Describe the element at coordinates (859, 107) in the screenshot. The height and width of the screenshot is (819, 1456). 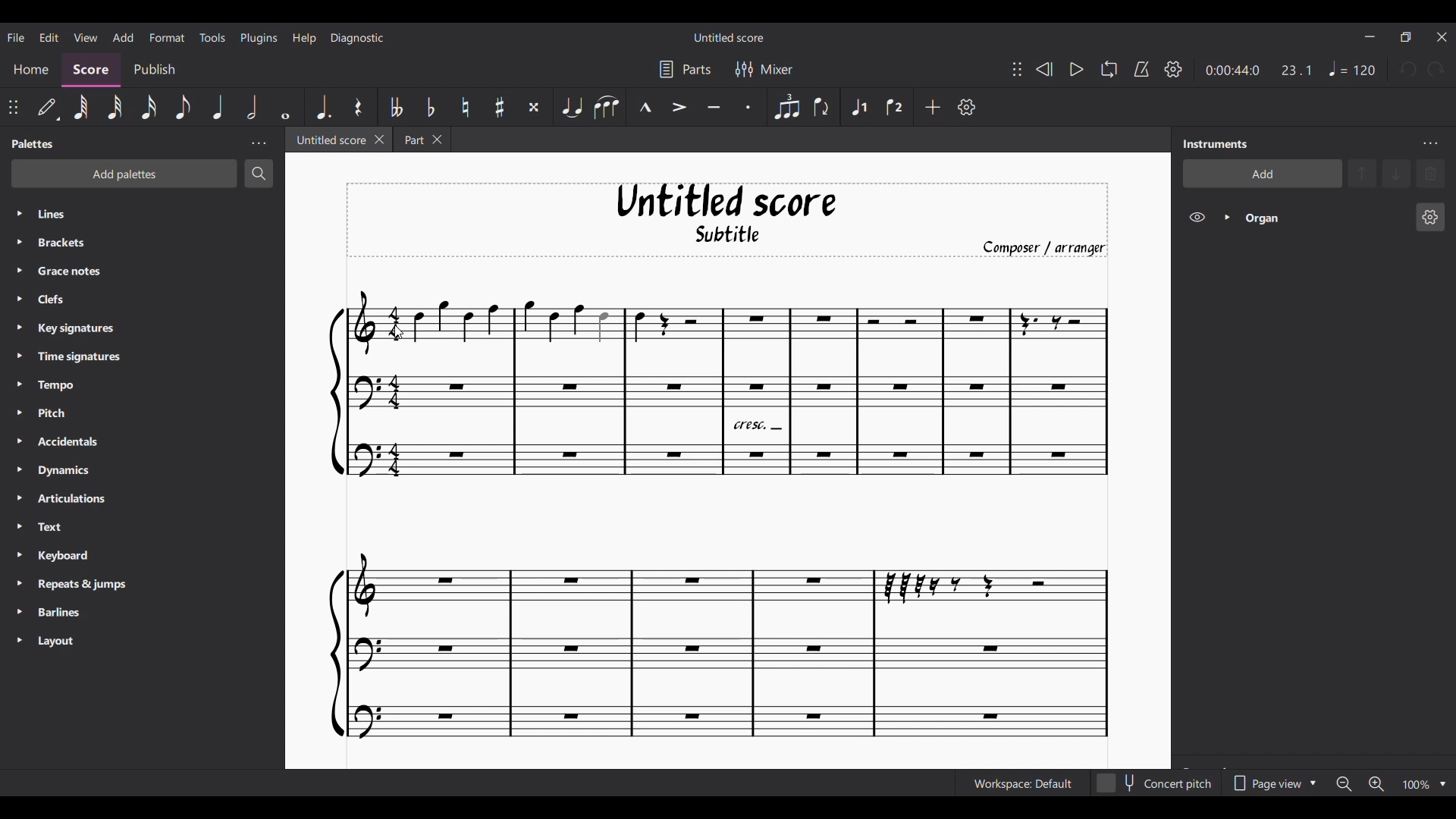
I see `Voice 1` at that location.